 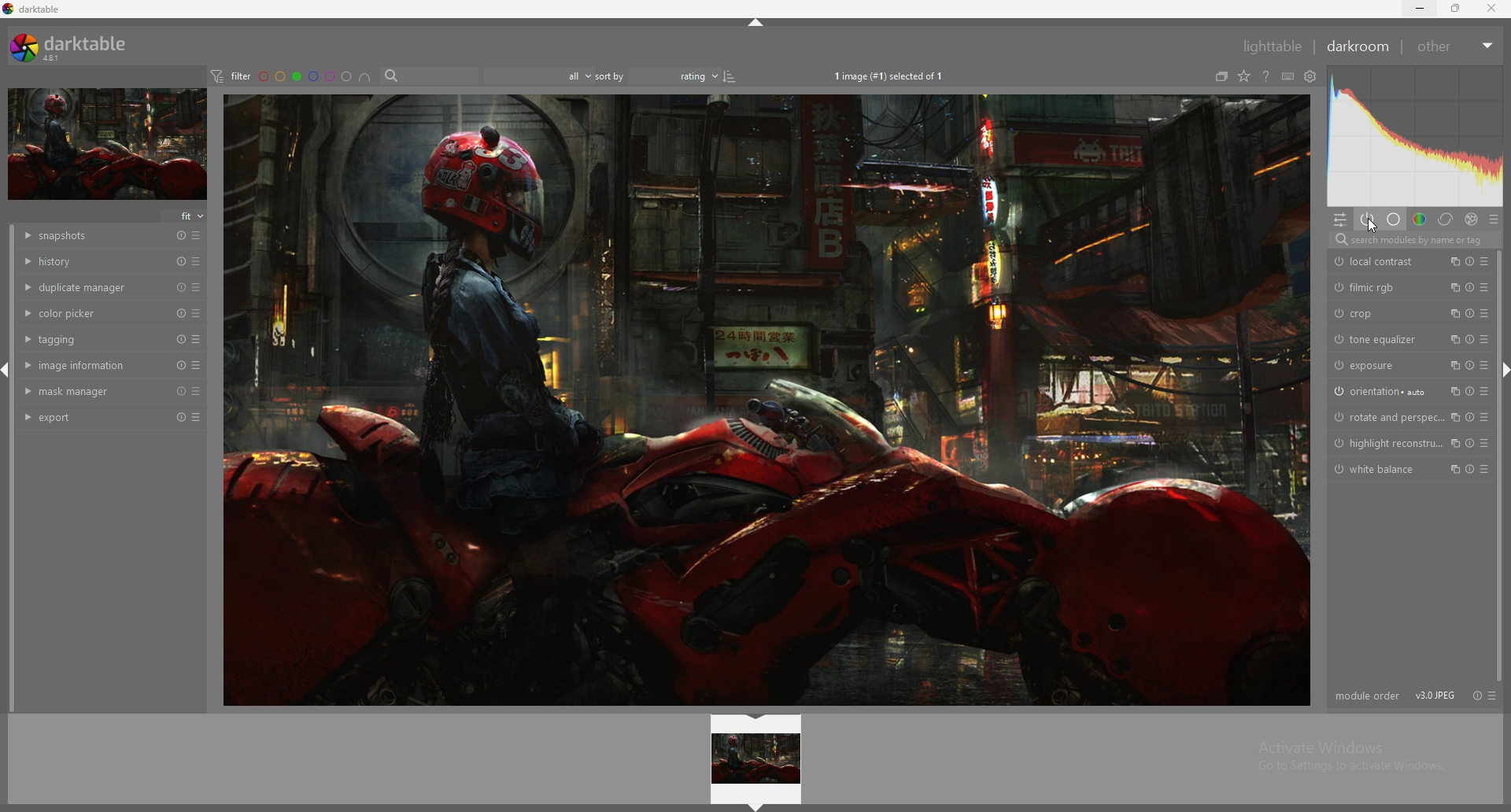 What do you see at coordinates (1380, 341) in the screenshot?
I see `tone equalizer` at bounding box center [1380, 341].